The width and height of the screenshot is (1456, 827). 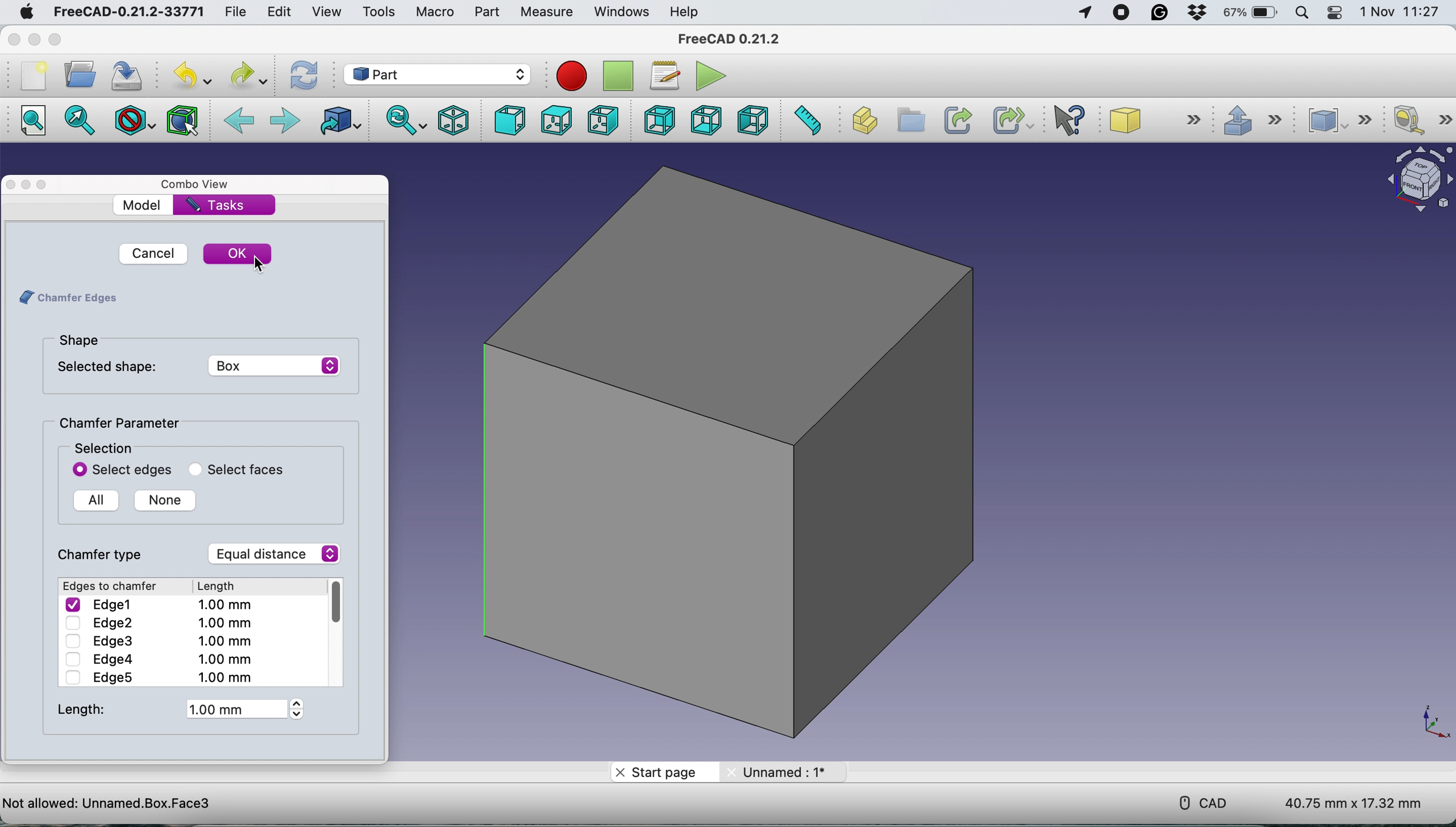 I want to click on select faces, so click(x=242, y=470).